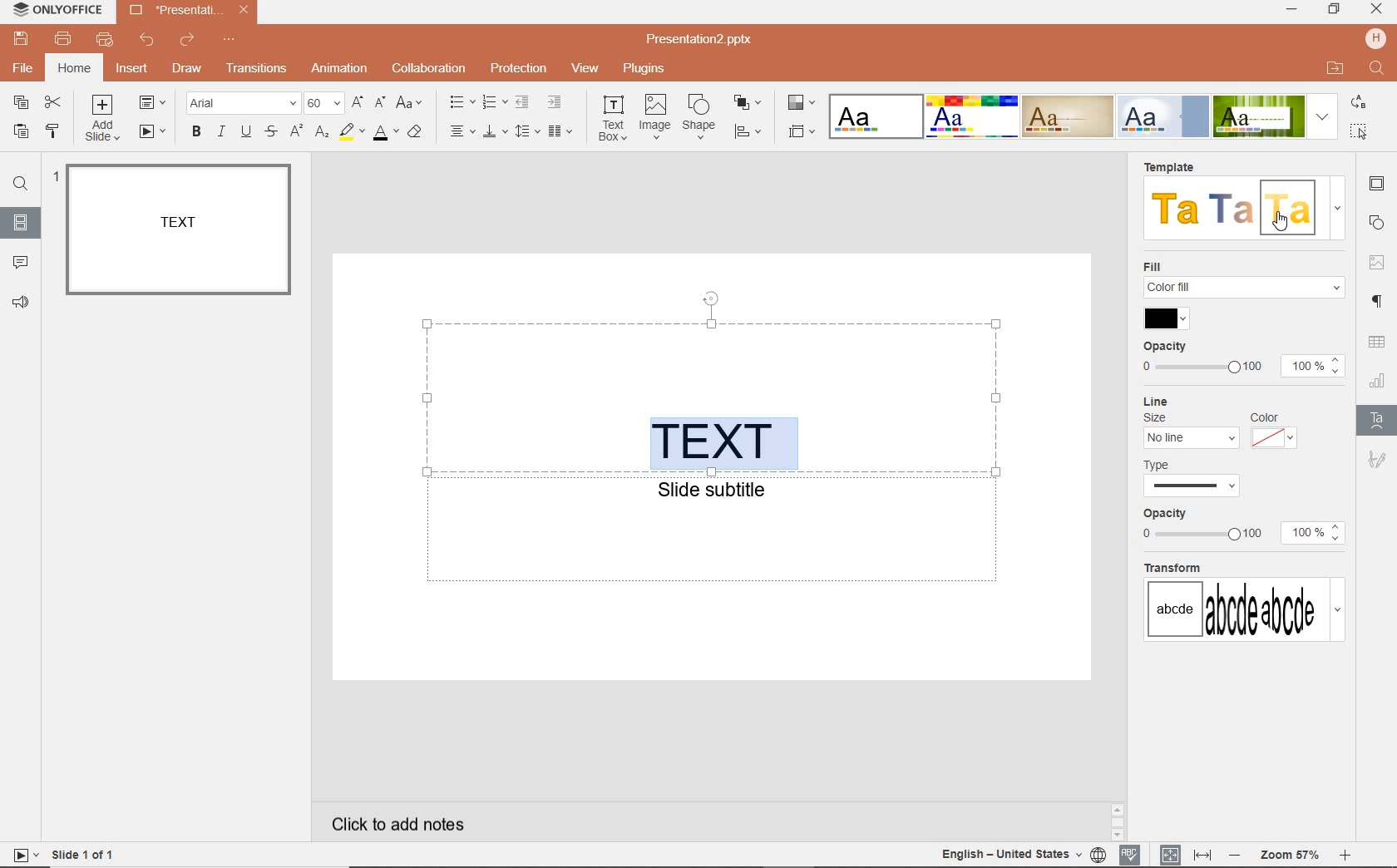 Image resolution: width=1397 pixels, height=868 pixels. I want to click on Line, so click(1158, 400).